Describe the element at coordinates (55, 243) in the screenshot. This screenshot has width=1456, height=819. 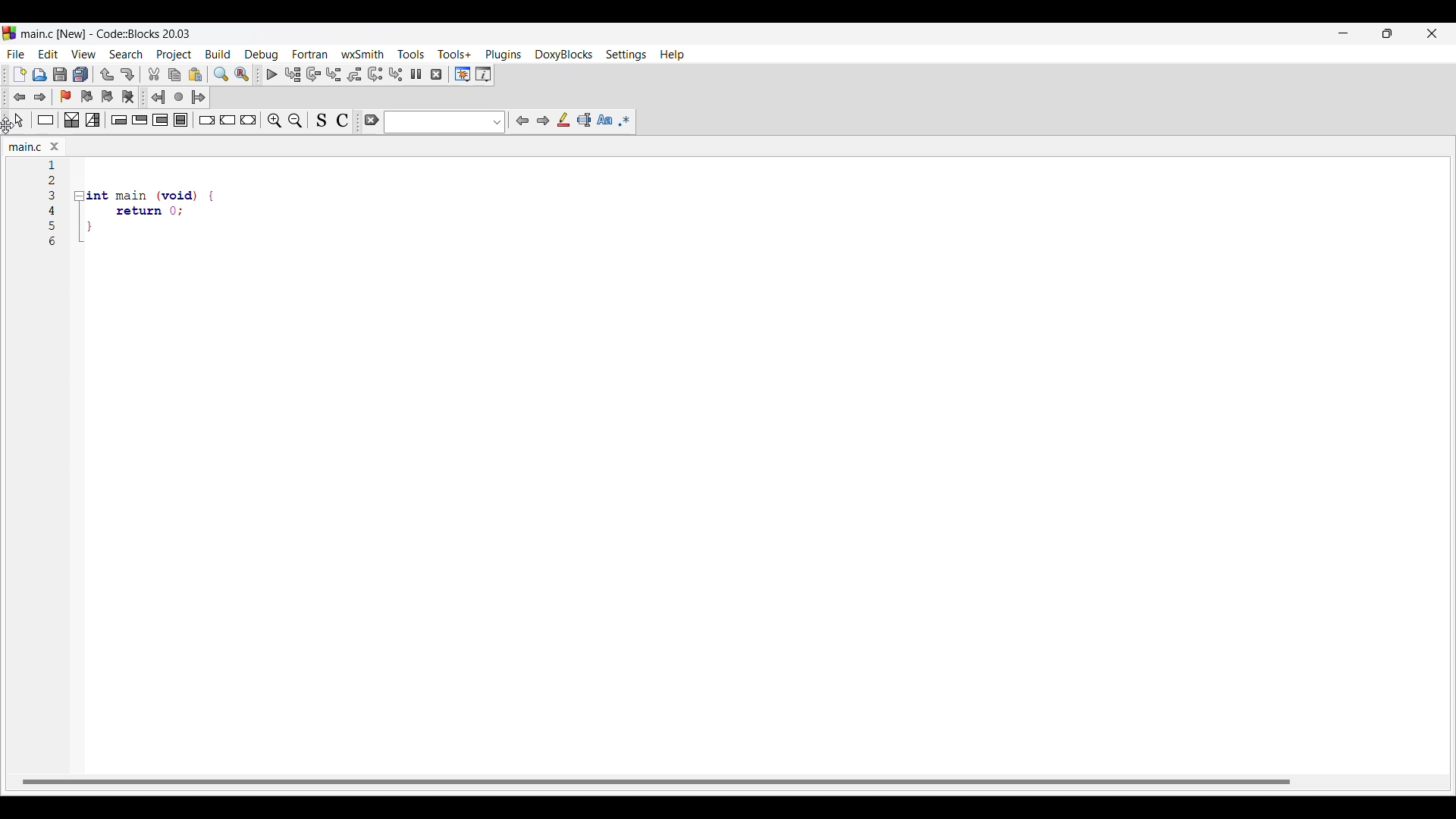
I see `` at that location.